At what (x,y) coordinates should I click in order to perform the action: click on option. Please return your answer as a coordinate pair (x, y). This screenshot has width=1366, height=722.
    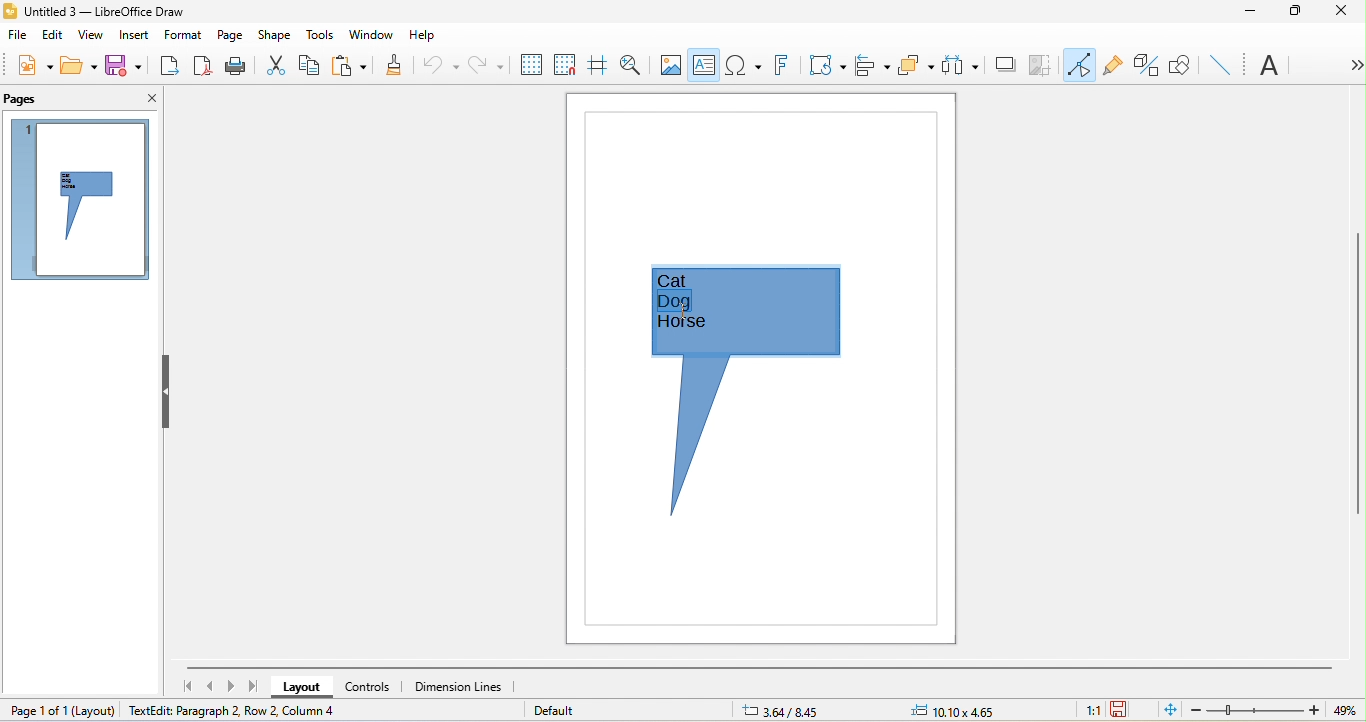
    Looking at the image, I should click on (1351, 65).